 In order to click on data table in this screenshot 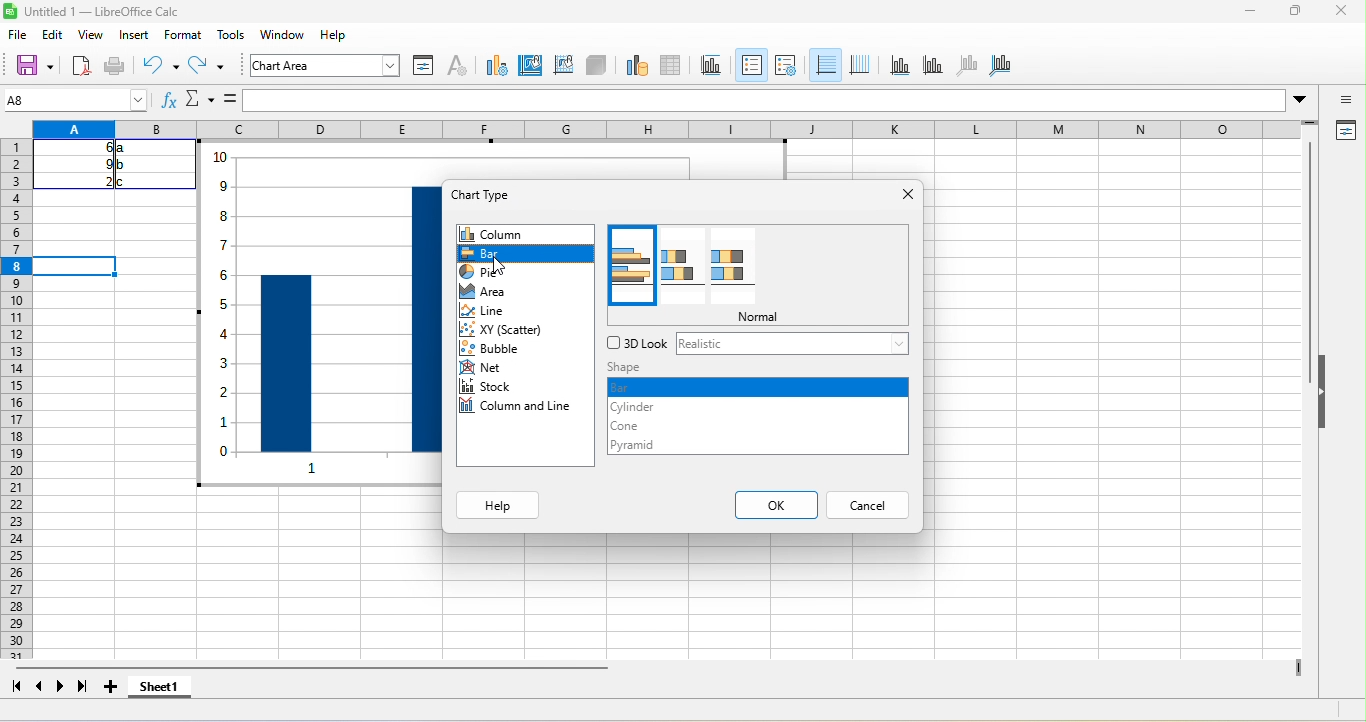, I will do `click(672, 67)`.